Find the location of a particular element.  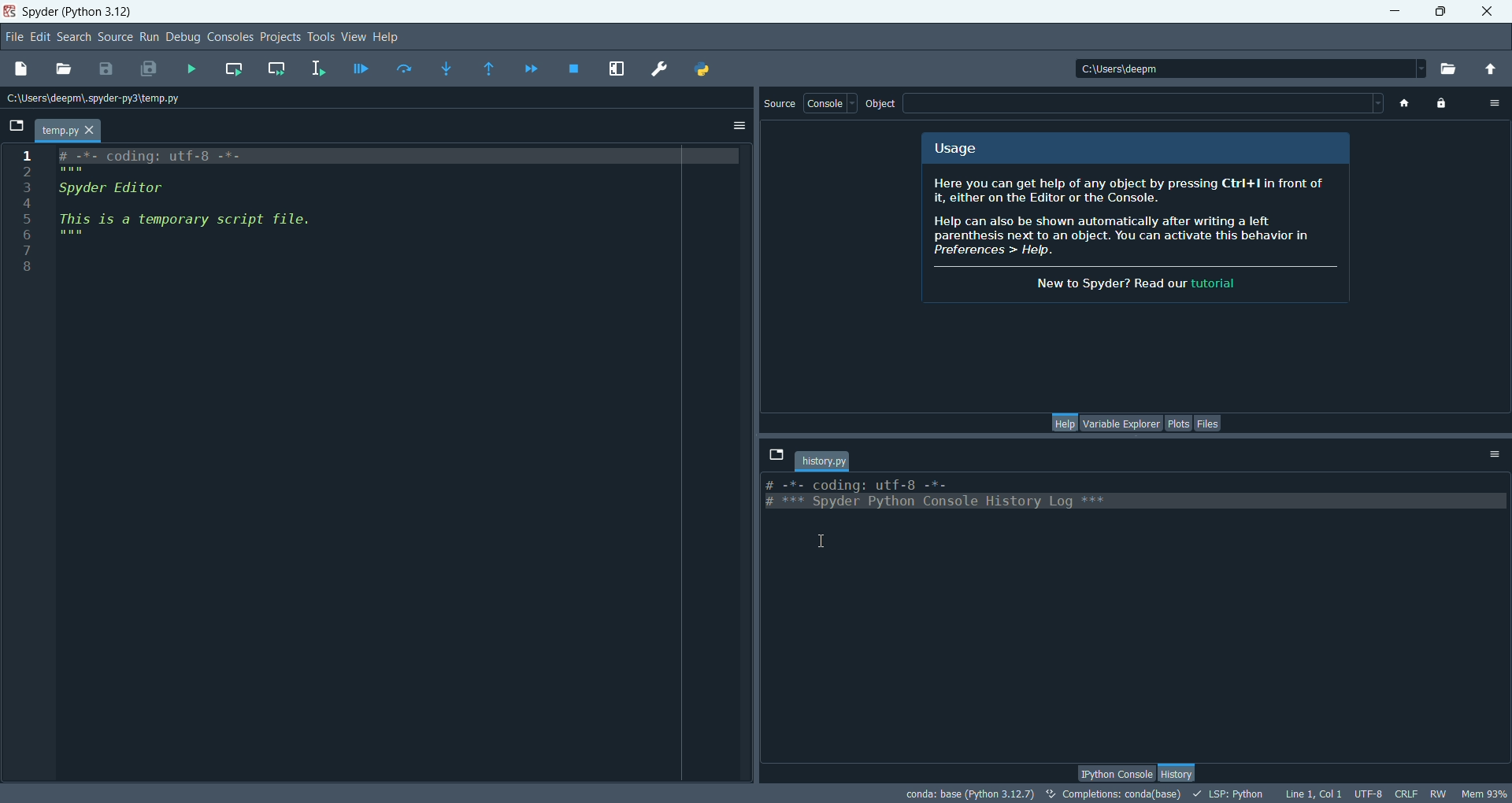

run selection is located at coordinates (319, 69).